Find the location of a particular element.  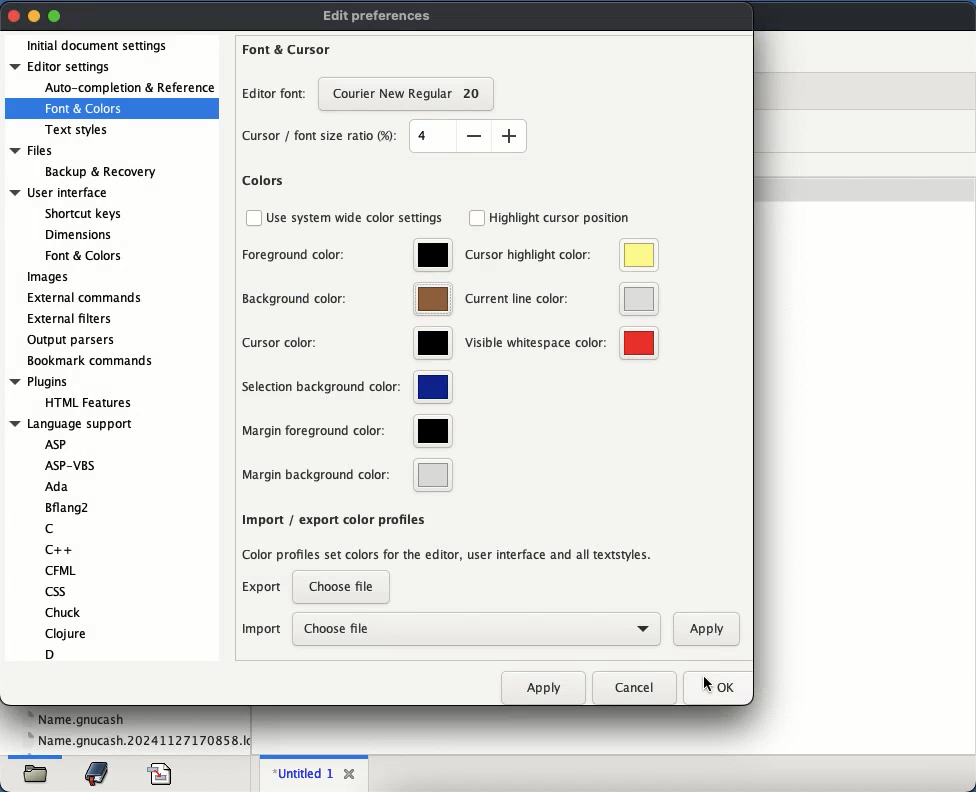

visible whitespace color is located at coordinates (563, 344).